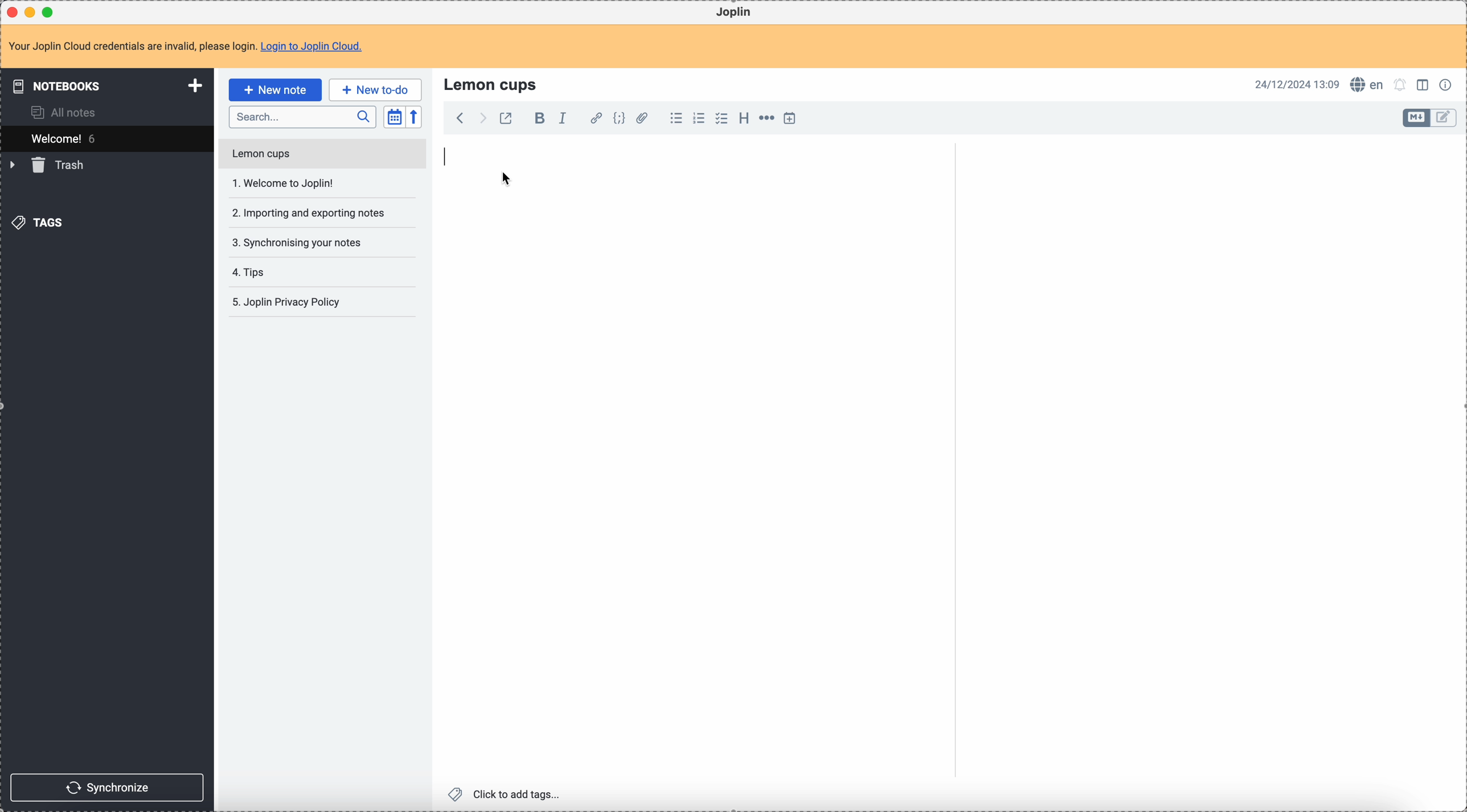 The height and width of the screenshot is (812, 1467). I want to click on set notifications, so click(1400, 84).